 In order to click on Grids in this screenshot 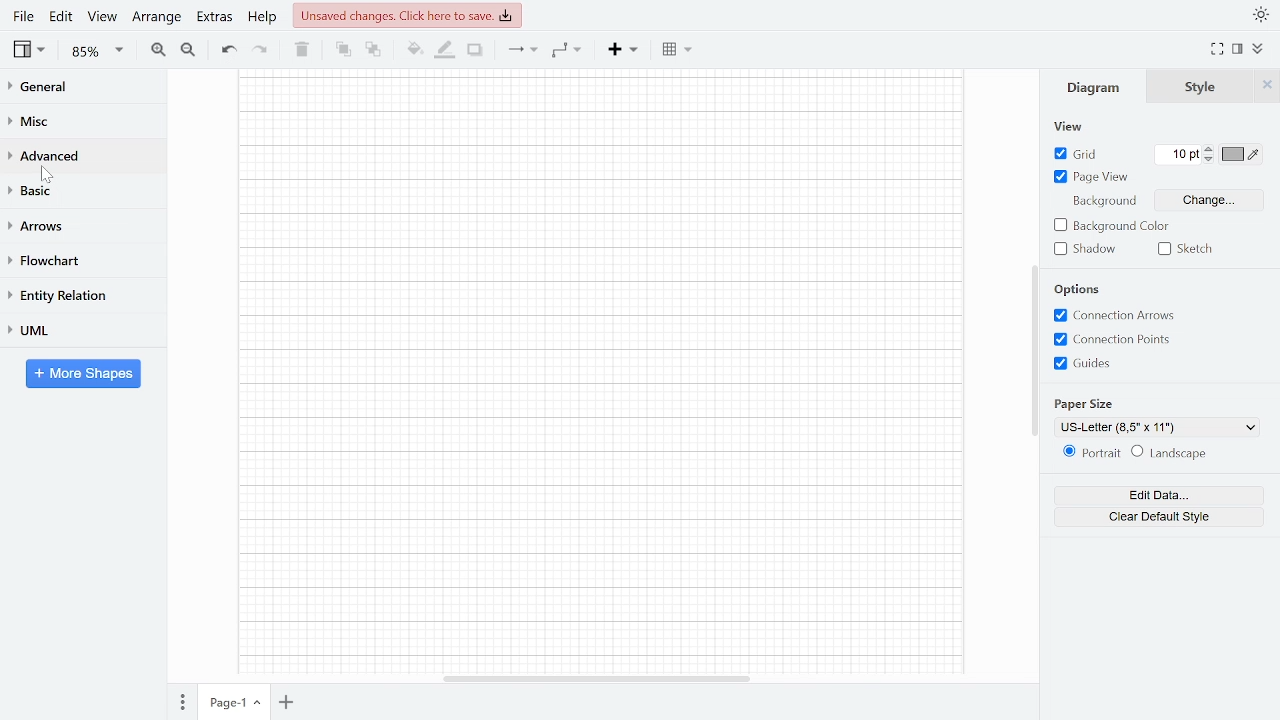, I will do `click(1090, 366)`.